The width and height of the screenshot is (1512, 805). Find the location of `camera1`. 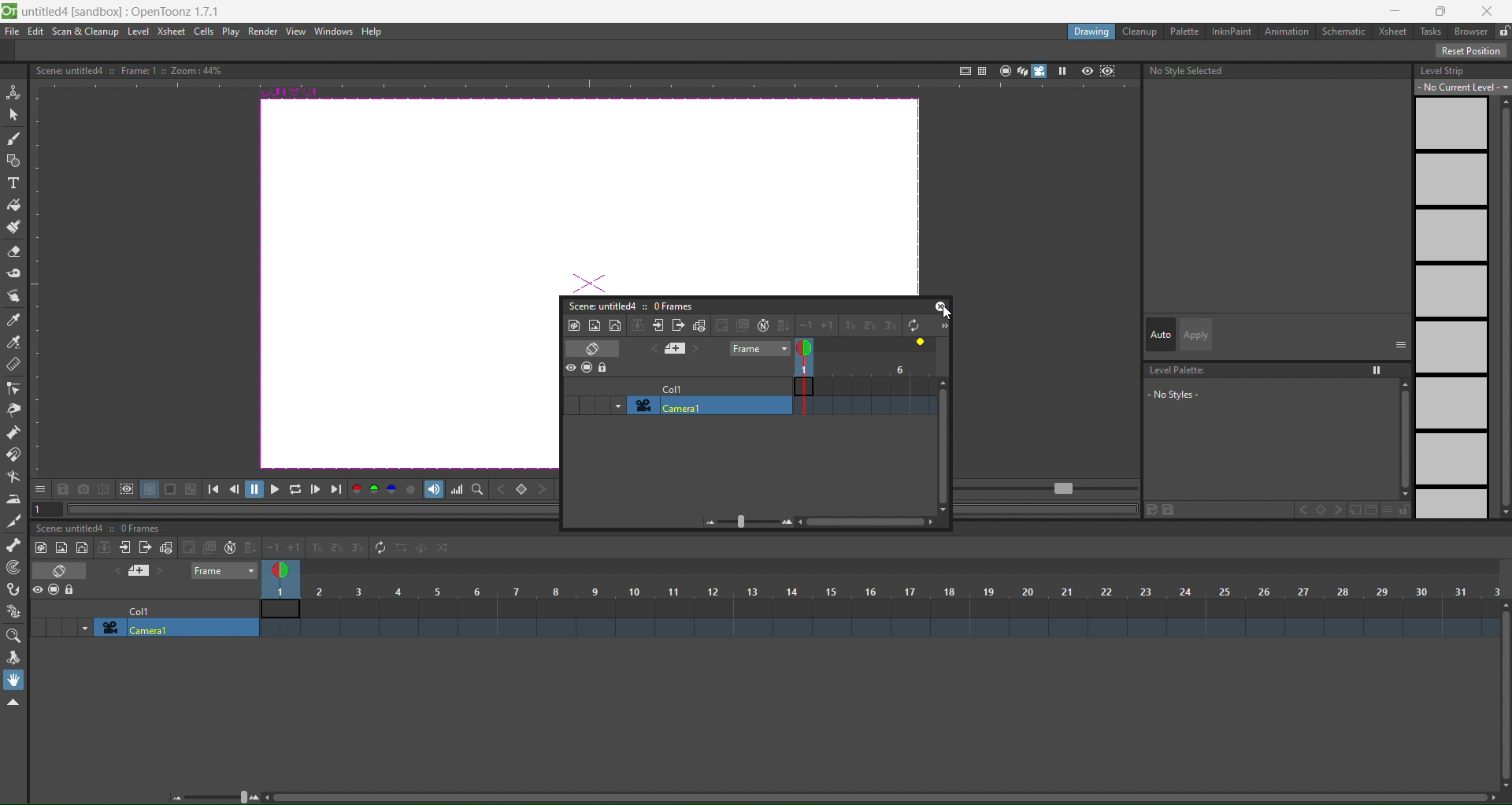

camera1 is located at coordinates (707, 405).